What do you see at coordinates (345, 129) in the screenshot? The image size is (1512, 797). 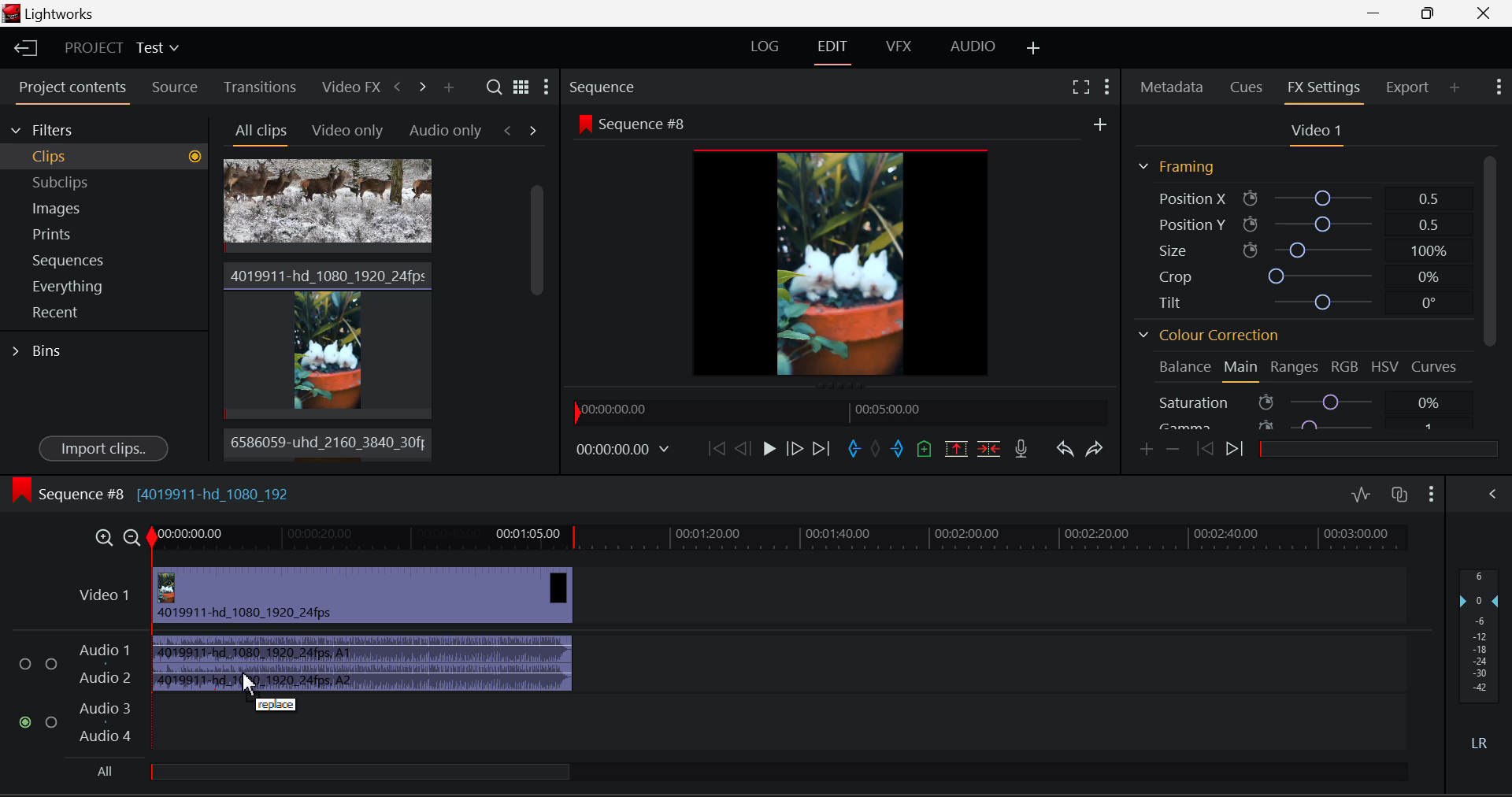 I see `Video only` at bounding box center [345, 129].